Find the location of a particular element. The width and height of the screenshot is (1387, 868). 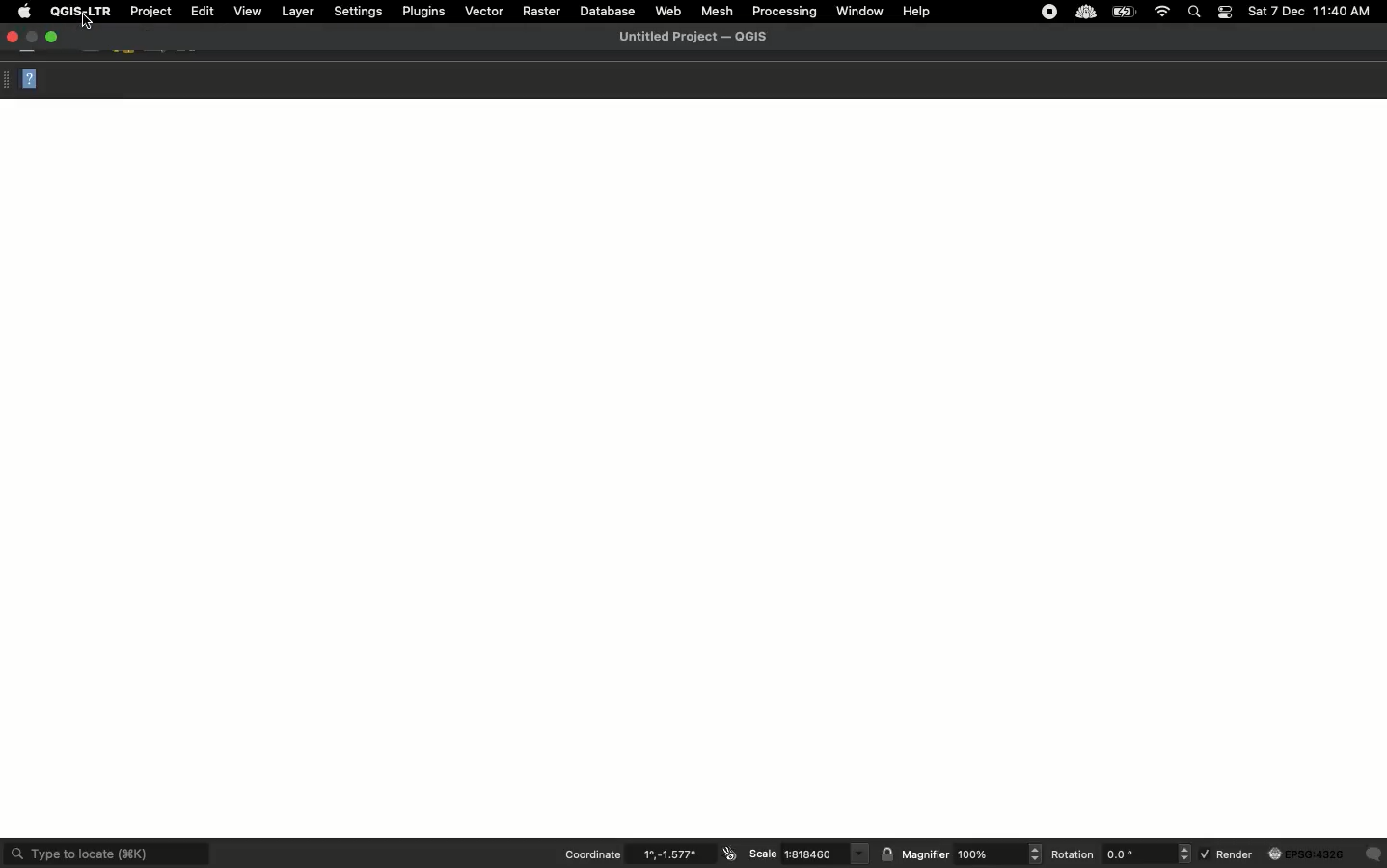

Cursor is located at coordinates (86, 27).